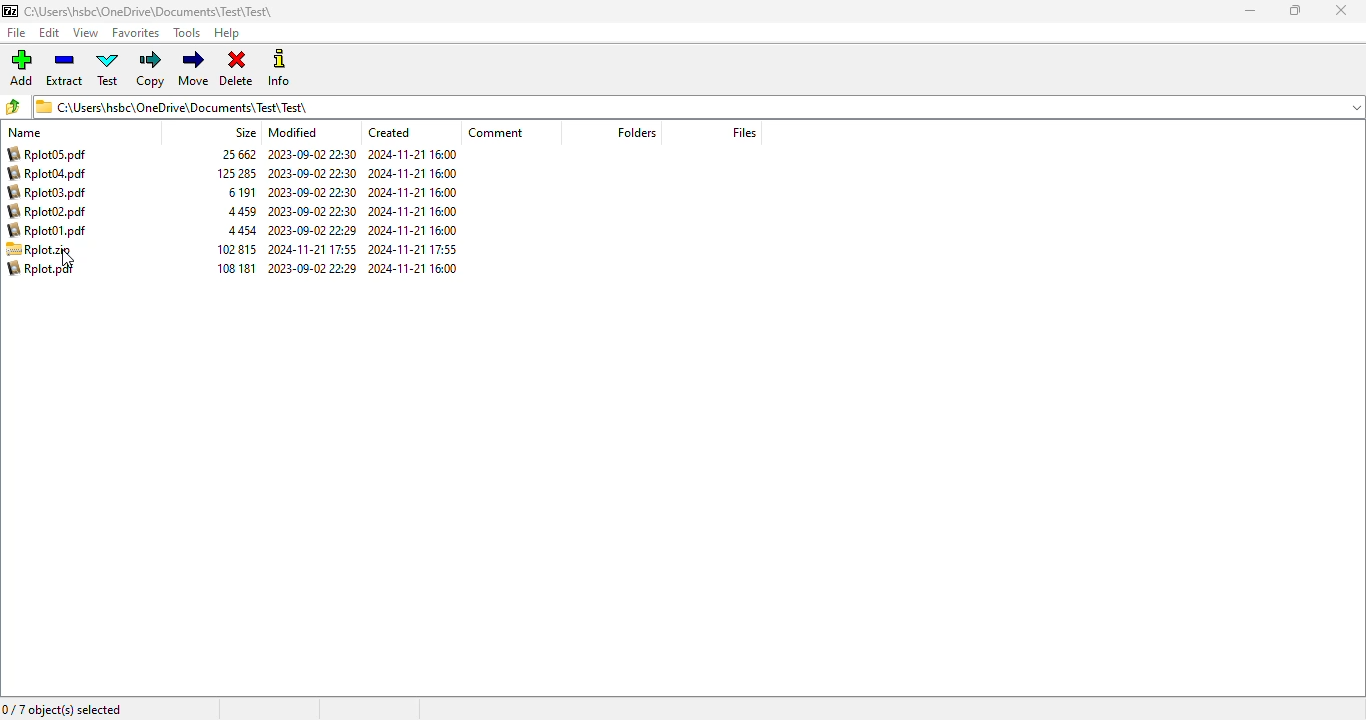  What do you see at coordinates (313, 268) in the screenshot?
I see `2023-09-02 22:29` at bounding box center [313, 268].